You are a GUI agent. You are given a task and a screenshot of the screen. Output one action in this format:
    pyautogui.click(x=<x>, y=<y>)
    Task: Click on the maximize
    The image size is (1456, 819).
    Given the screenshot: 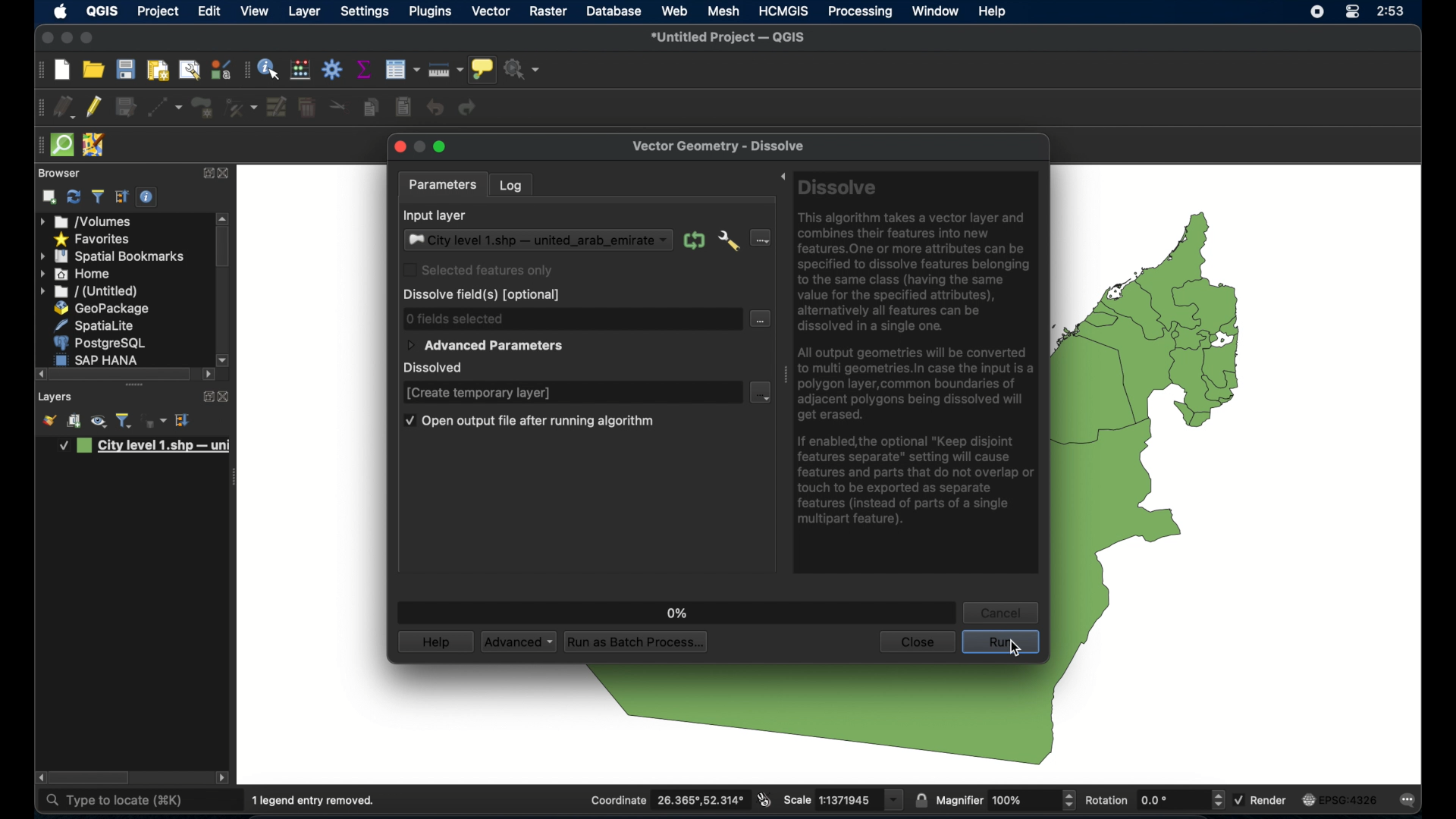 What is the action you would take?
    pyautogui.click(x=88, y=39)
    